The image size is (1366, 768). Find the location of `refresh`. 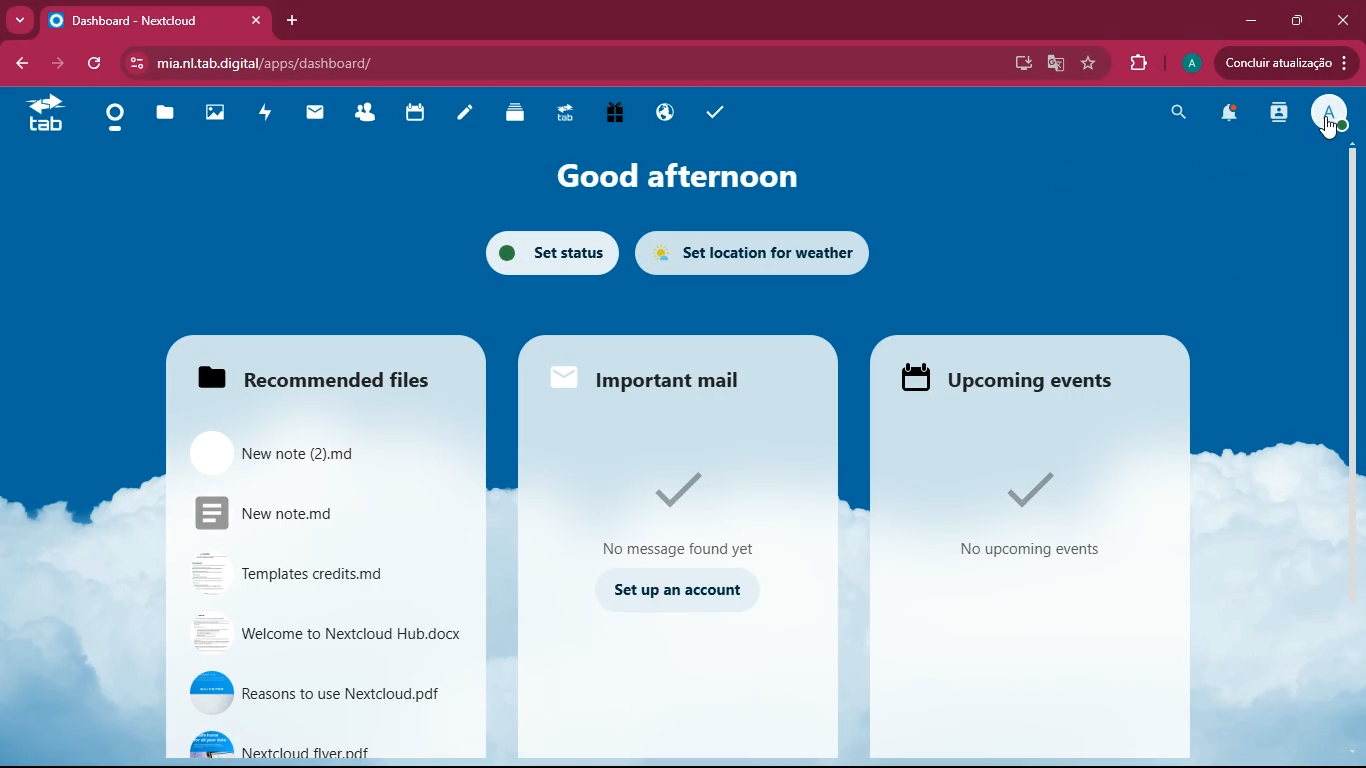

refresh is located at coordinates (95, 64).